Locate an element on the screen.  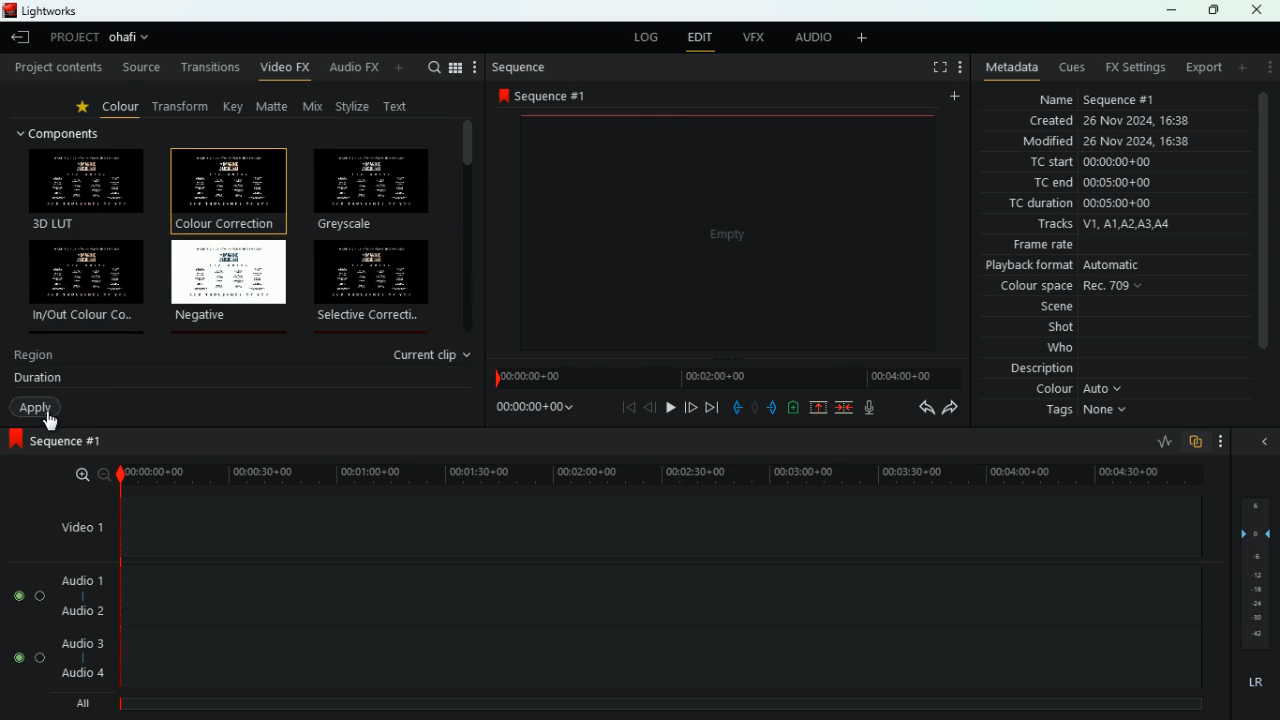
shot is located at coordinates (1045, 328).